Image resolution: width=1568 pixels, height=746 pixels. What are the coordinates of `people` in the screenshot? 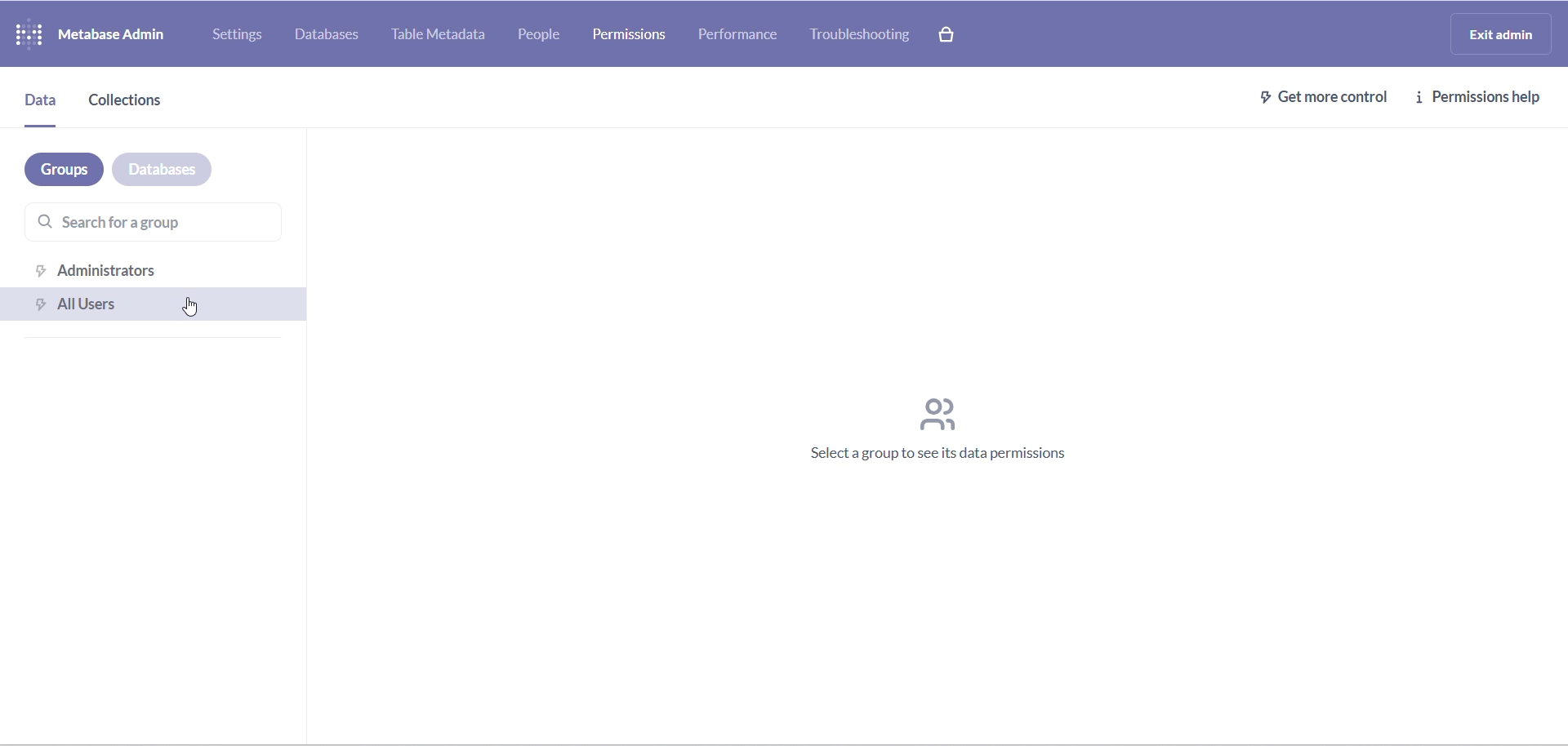 It's located at (550, 36).